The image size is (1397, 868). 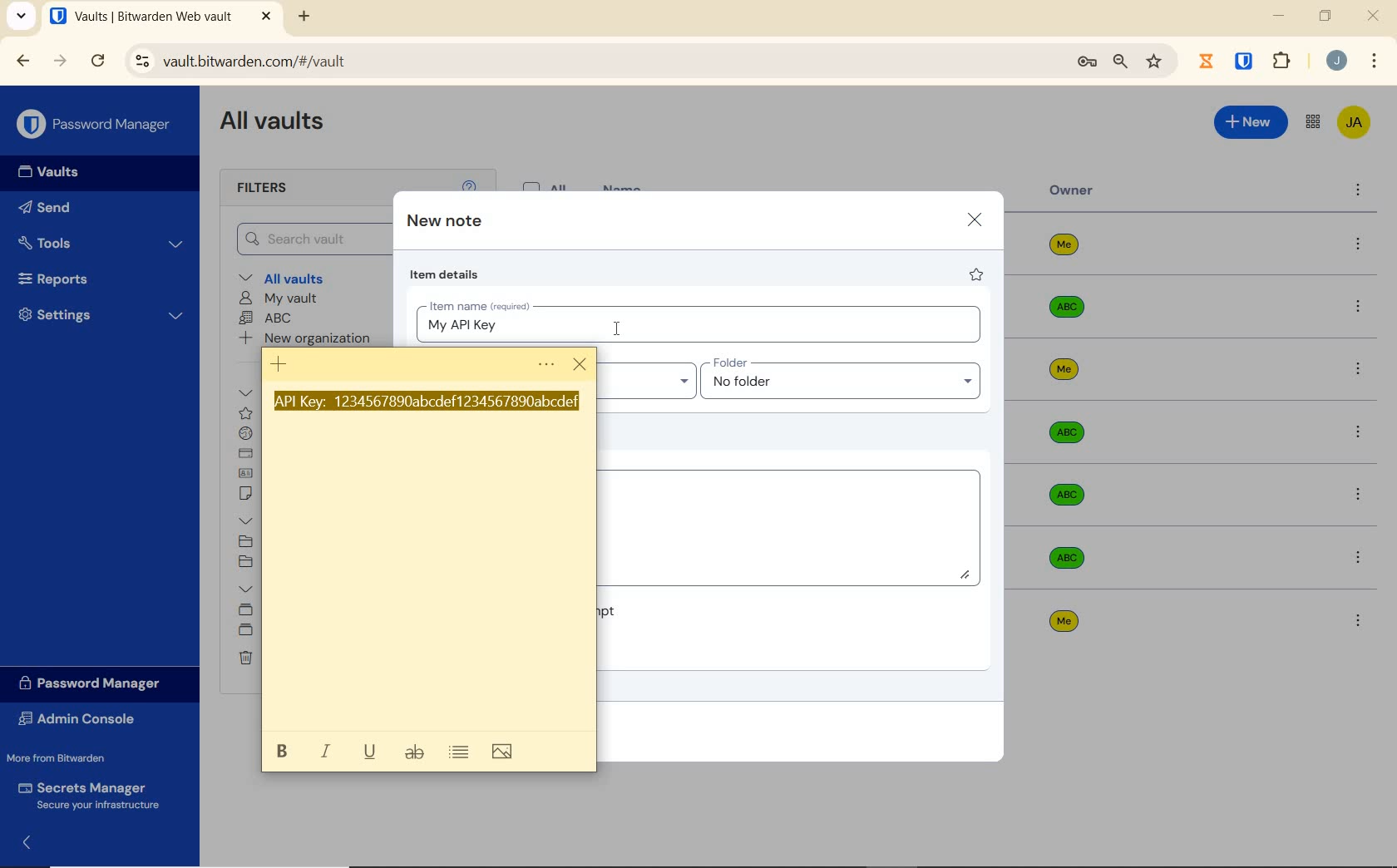 I want to click on identity, so click(x=248, y=474).